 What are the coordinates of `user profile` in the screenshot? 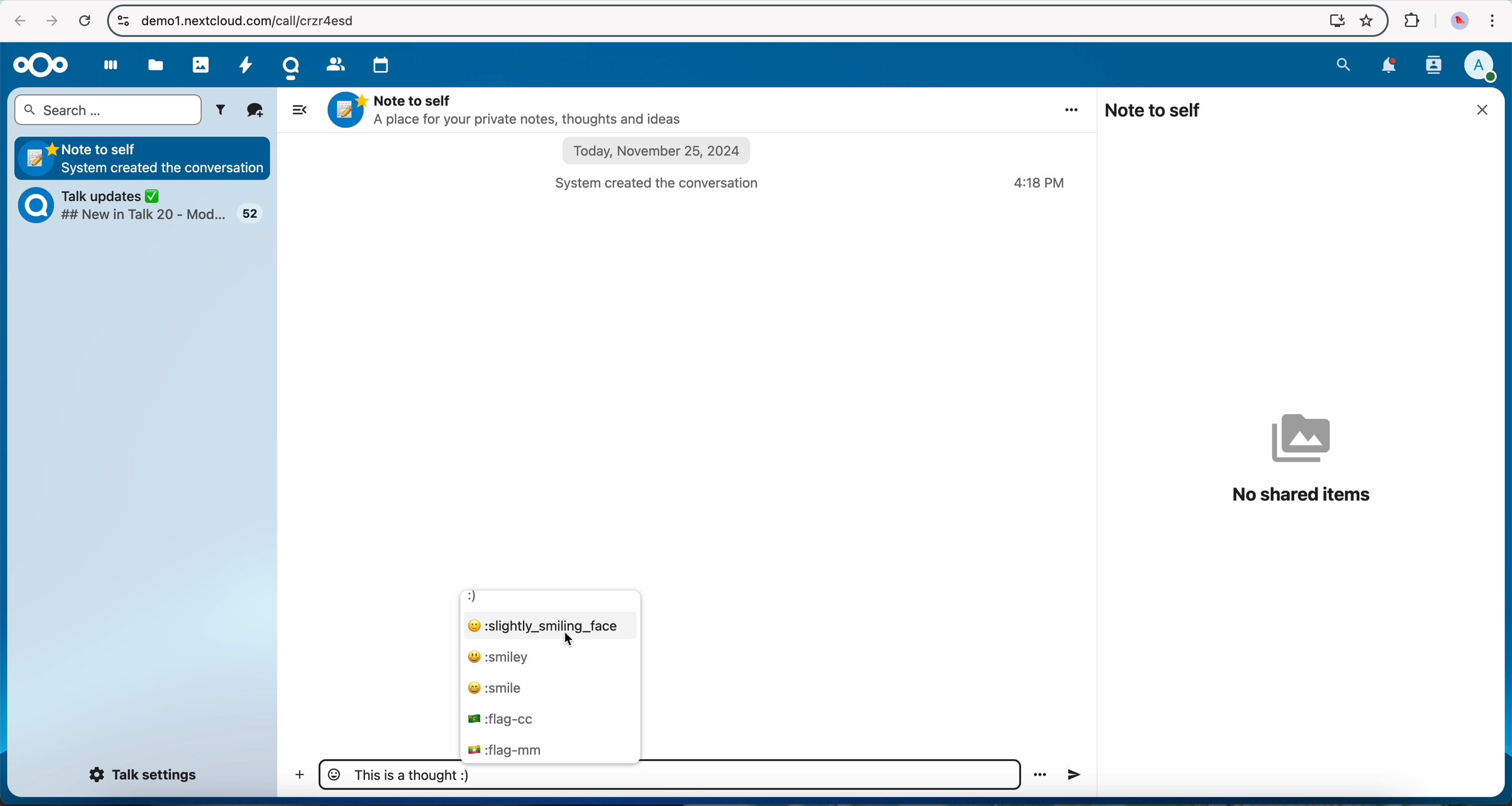 It's located at (1486, 66).